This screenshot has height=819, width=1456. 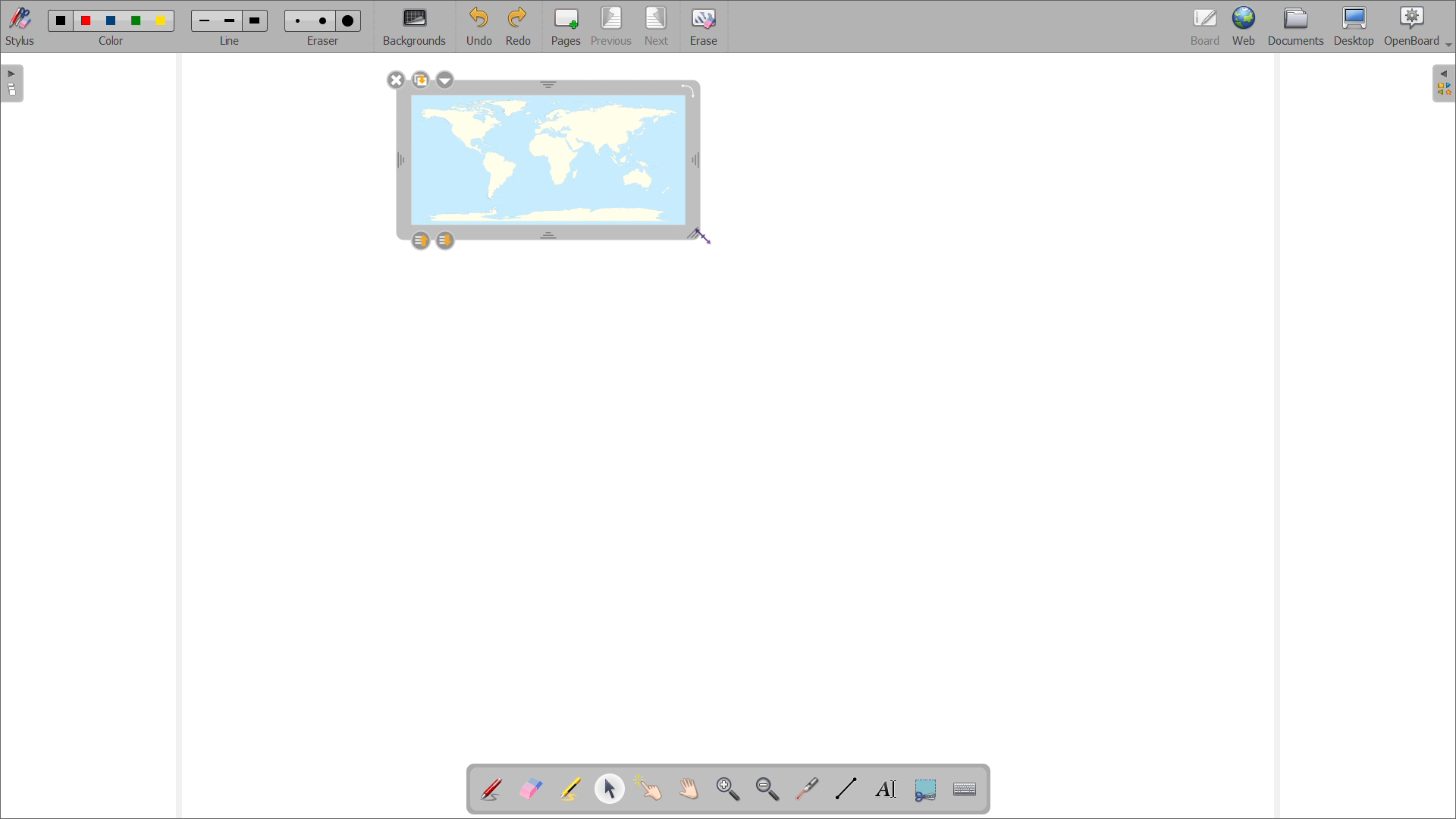 What do you see at coordinates (162, 21) in the screenshot?
I see `yellow` at bounding box center [162, 21].